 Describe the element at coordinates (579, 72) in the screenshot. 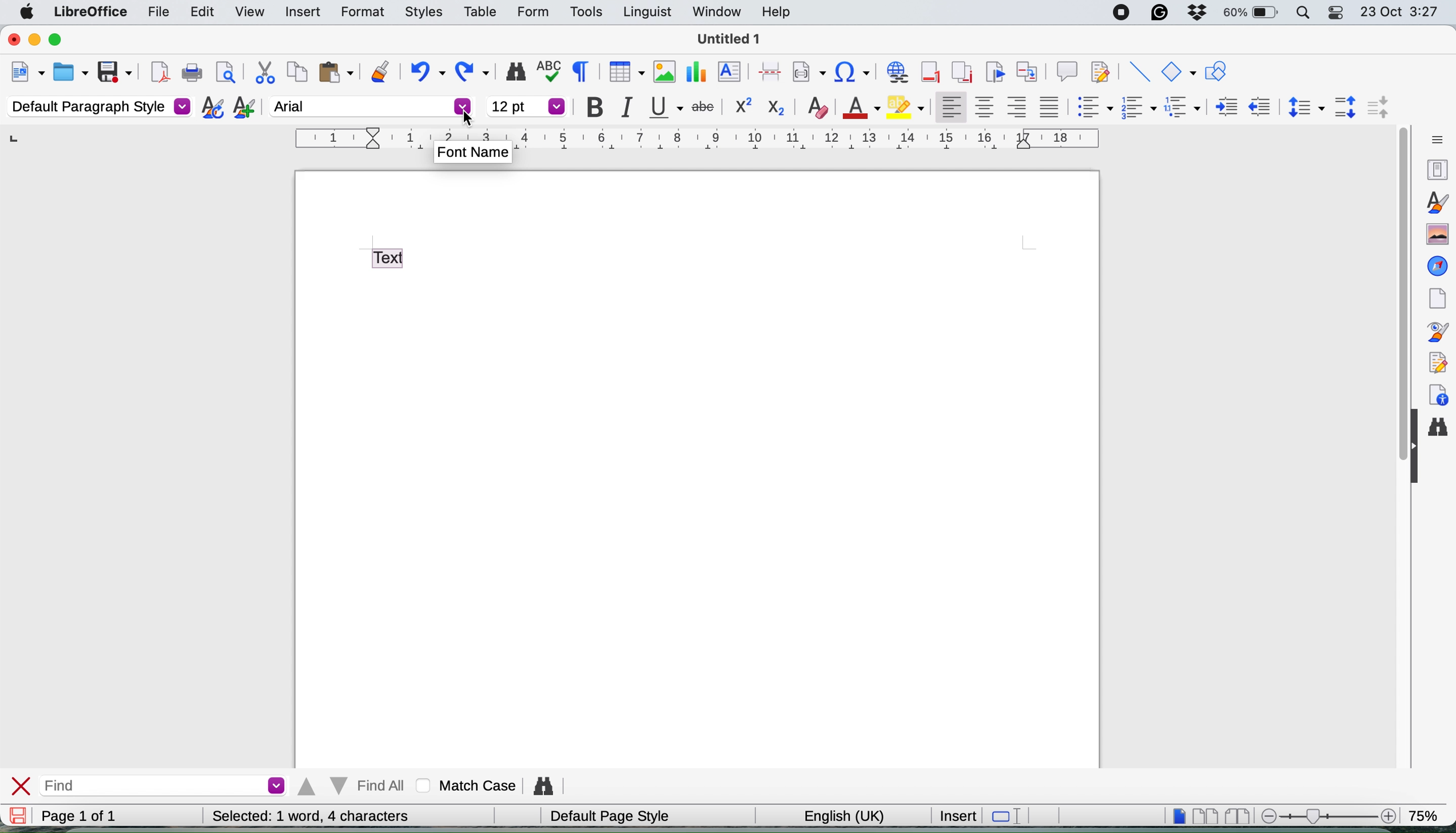

I see `toggle formatting marks` at that location.